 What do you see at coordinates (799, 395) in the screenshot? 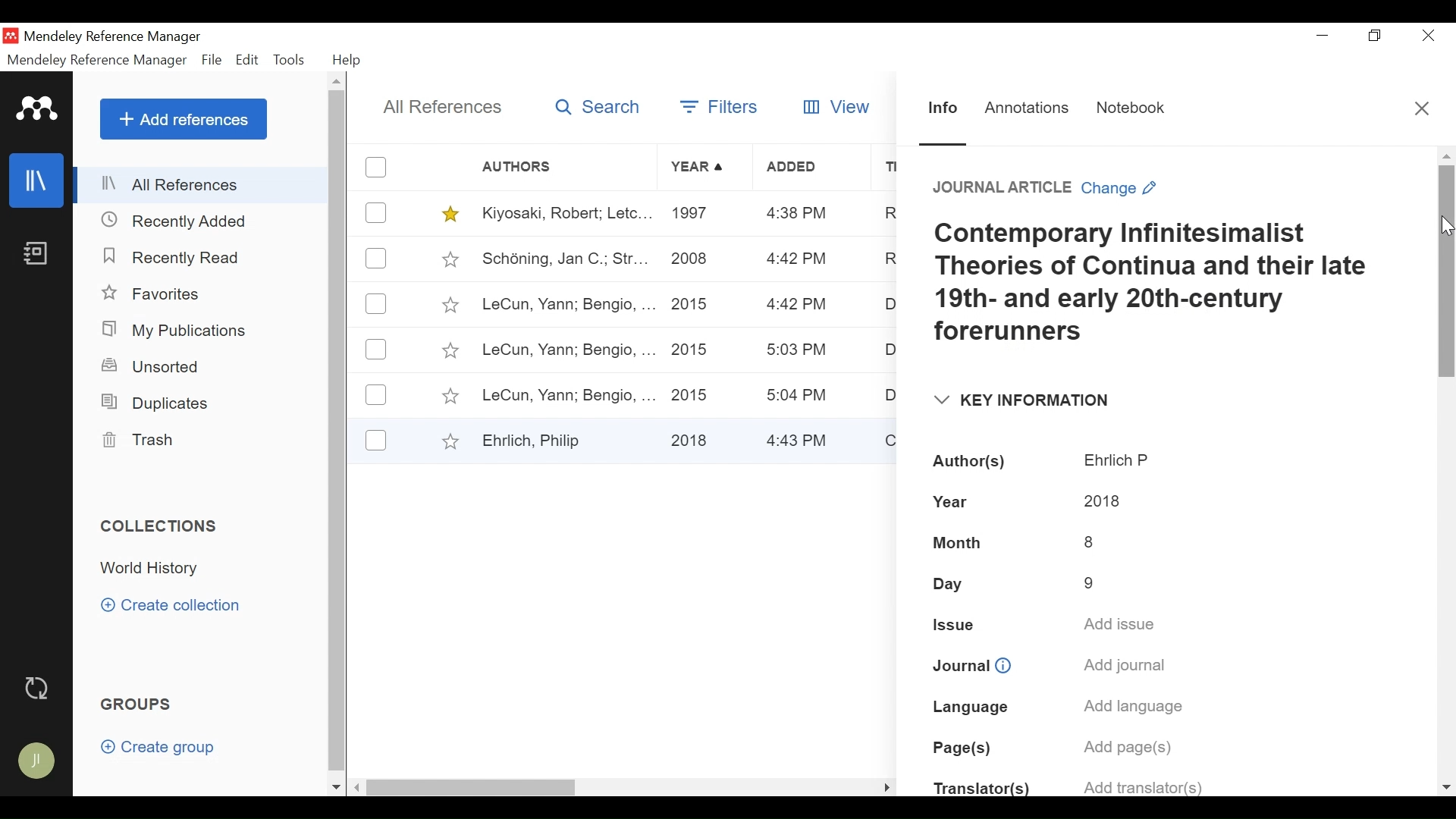
I see `5:04 PM` at bounding box center [799, 395].